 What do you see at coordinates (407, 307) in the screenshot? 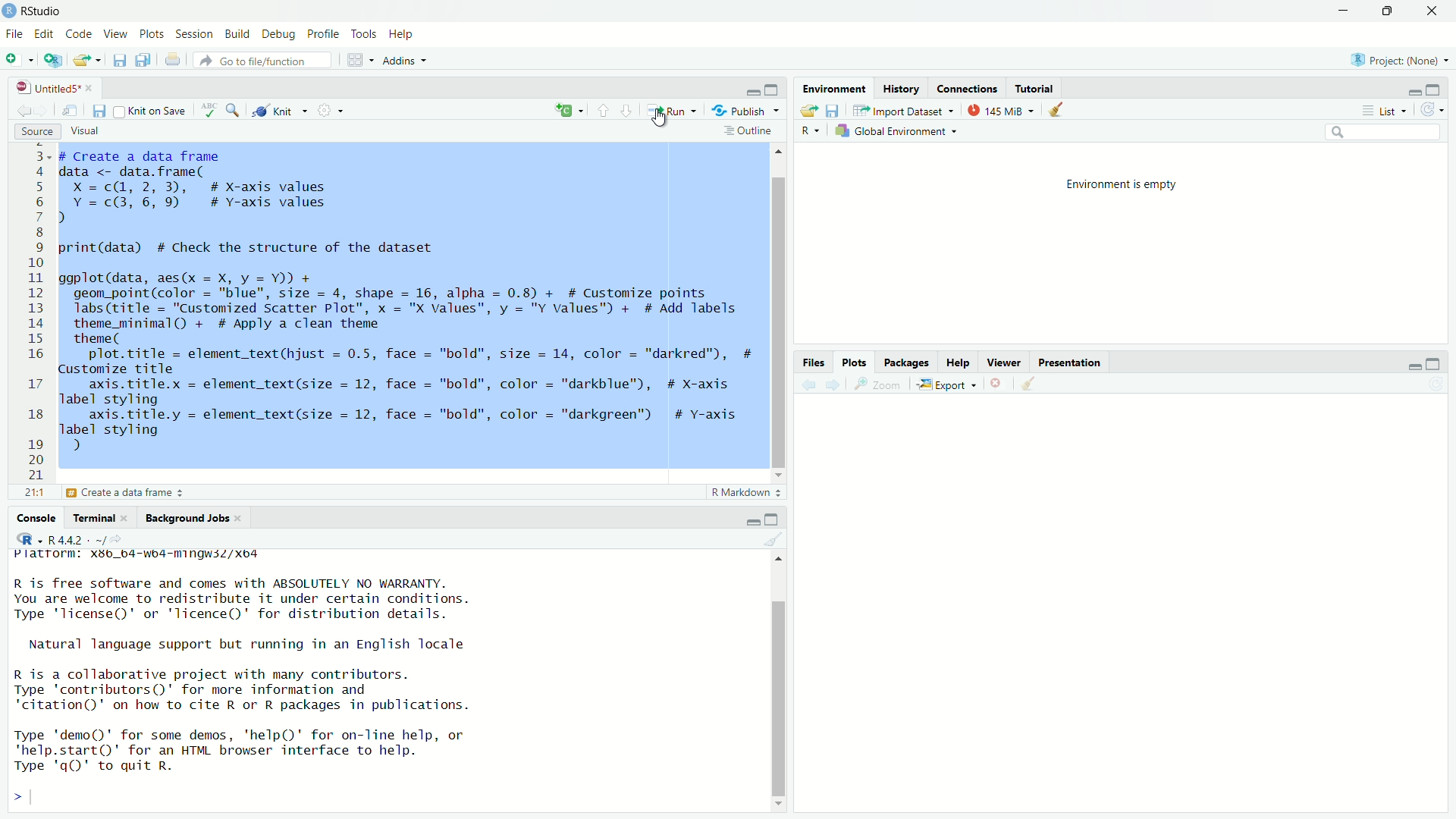
I see `# Create a data frame
data <- data.frame(
X =c@, 2, 3), # X-axis values
Y =c@, 6, 9) # Y-axis values
d
print(data) # Check the structure of the dataset 1
ggplot(data, aes(x = X, y = Y)) +
geom_point(color = "blue", size = 4, shape = 16, alpha = 0.8) + # Customize points
labs (title = "Customized Scatter Plot", x = "X values", y = "Y values") + # Add labels
theme_minimal() + # Apply a clean theme
theme (
plot.title = element_text(hjust = 0.5, face = "bold", size = 14, color = "darkred"), #
Customize title
axis.title.x = element_text(size = 12, face = "bold", color = "darkblue"), # X-axis
label styling
axis.title.y = element_text(size = 12, face = "bold", color = "darkgreen") # Y-axis
label styling
d` at bounding box center [407, 307].